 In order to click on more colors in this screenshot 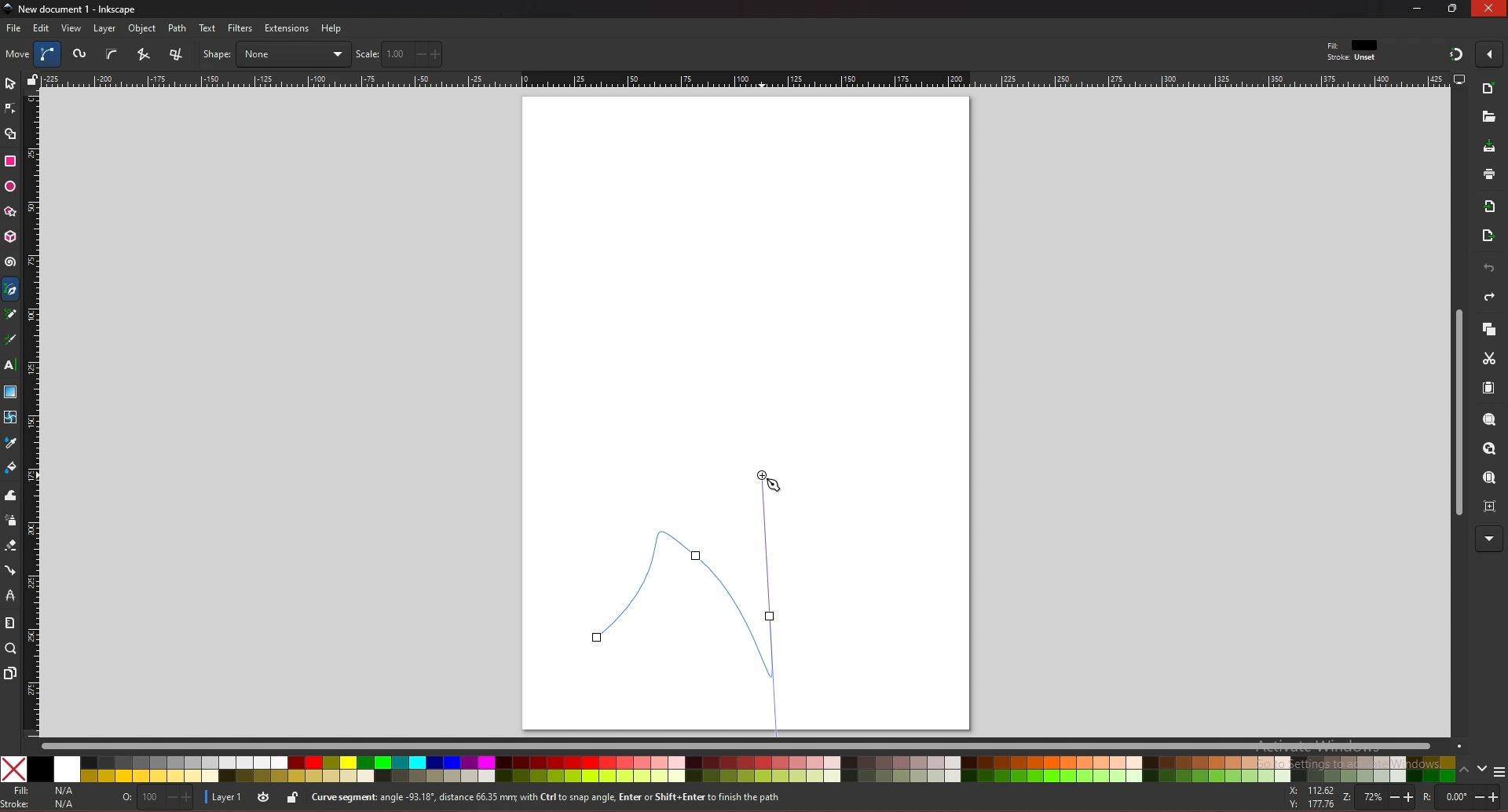, I will do `click(1499, 773)`.